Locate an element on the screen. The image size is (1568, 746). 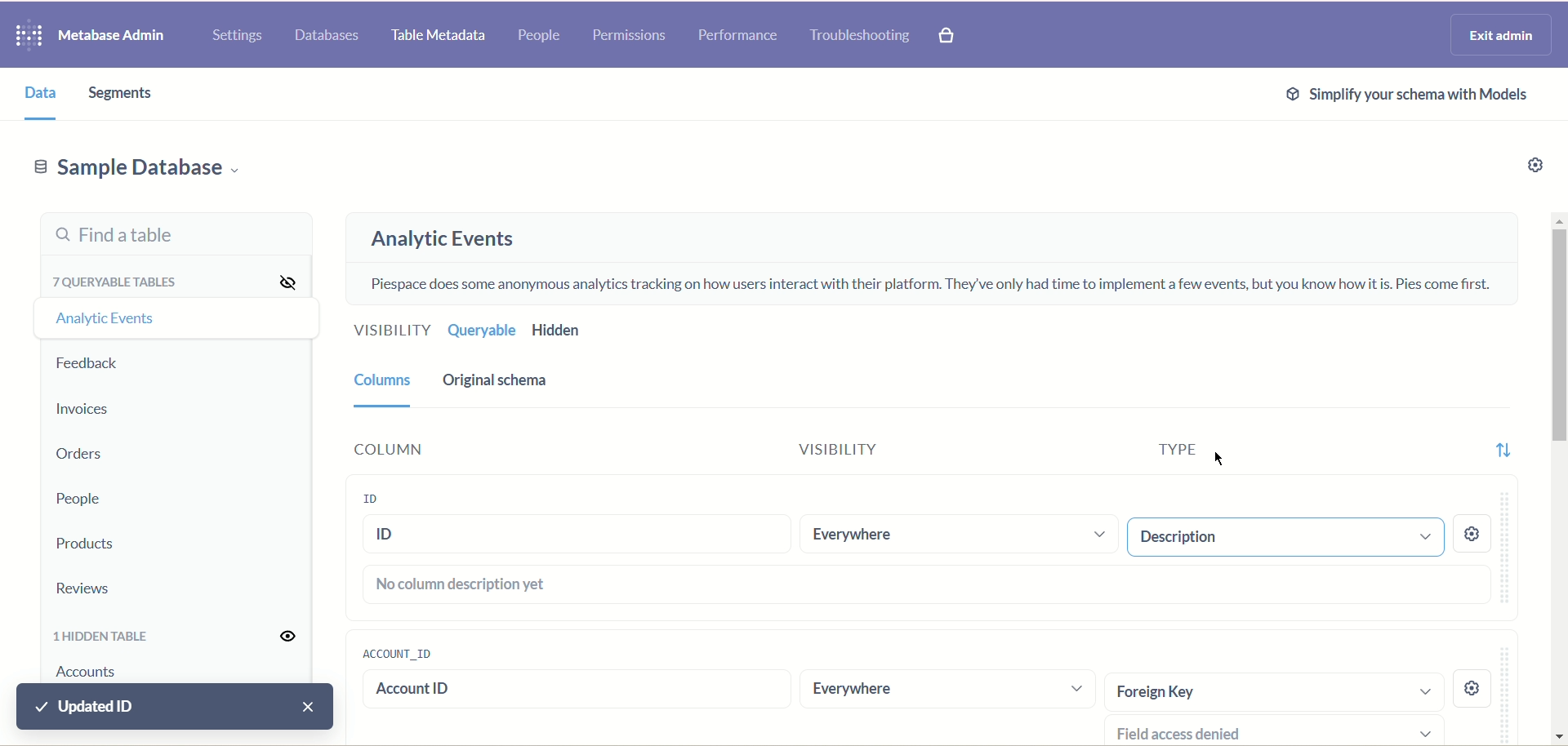
logo is located at coordinates (24, 37).